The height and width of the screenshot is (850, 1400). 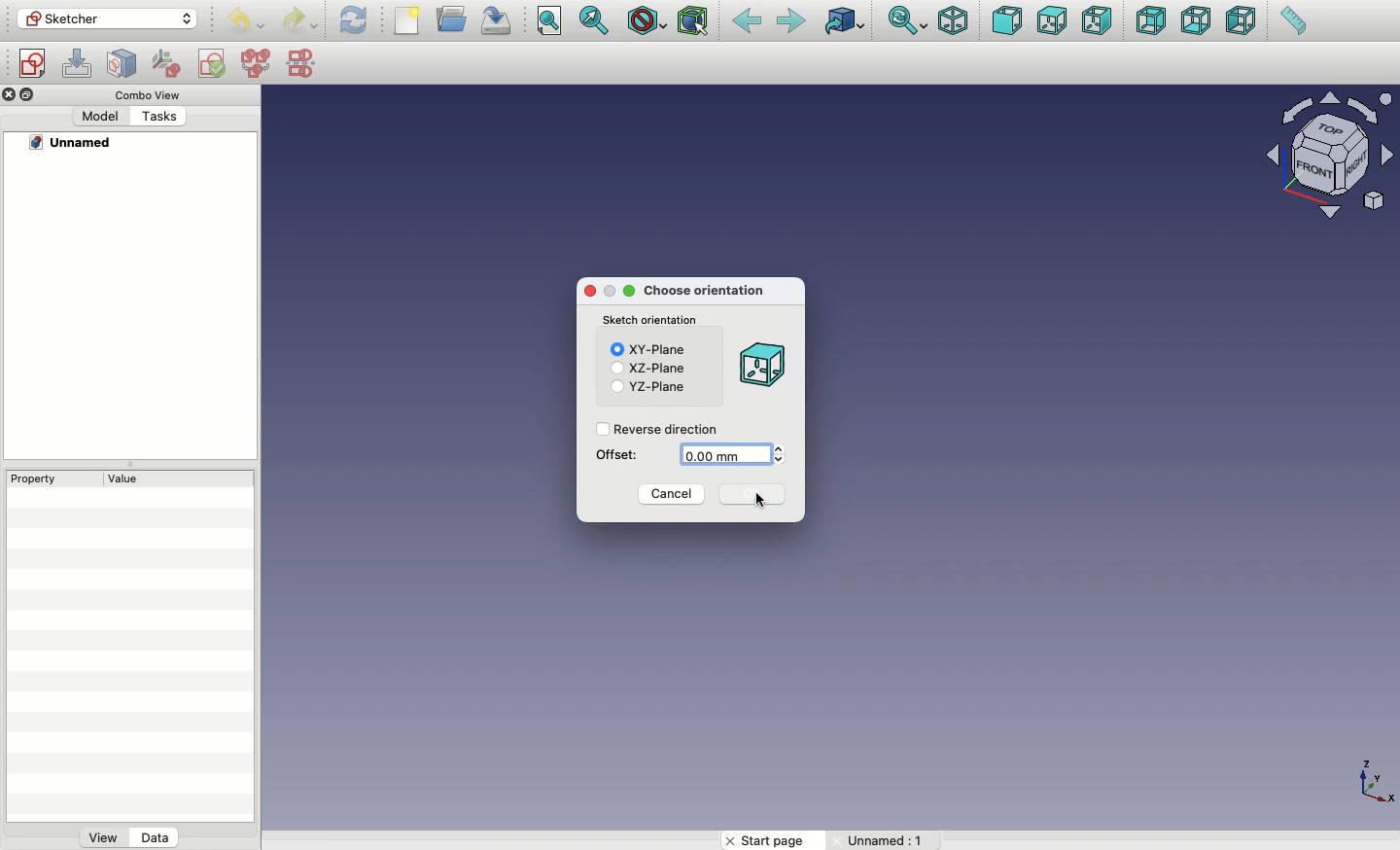 I want to click on Undo, so click(x=244, y=21).